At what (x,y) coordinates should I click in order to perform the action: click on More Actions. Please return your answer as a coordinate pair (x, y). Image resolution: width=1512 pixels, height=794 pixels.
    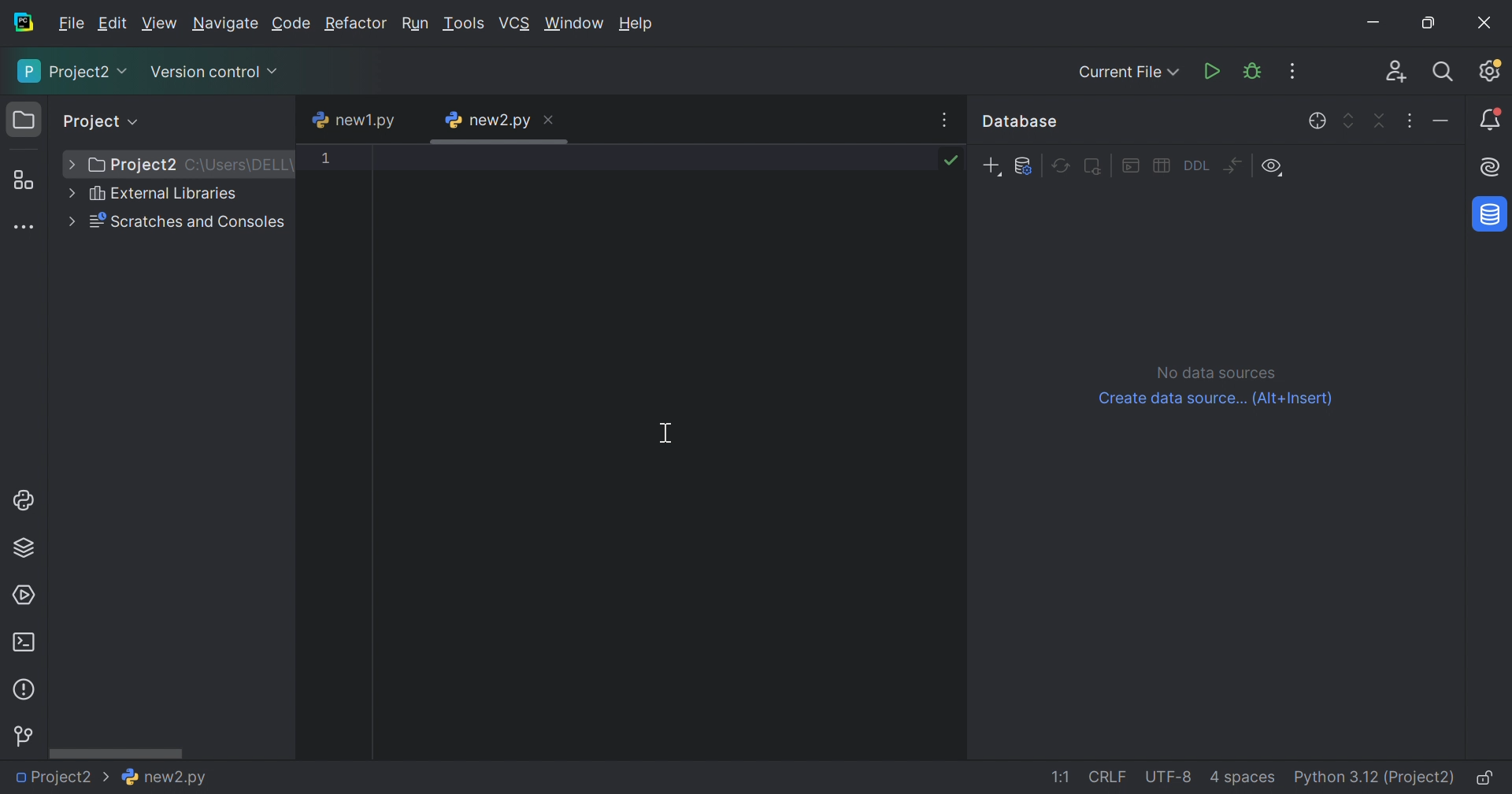
    Looking at the image, I should click on (1295, 72).